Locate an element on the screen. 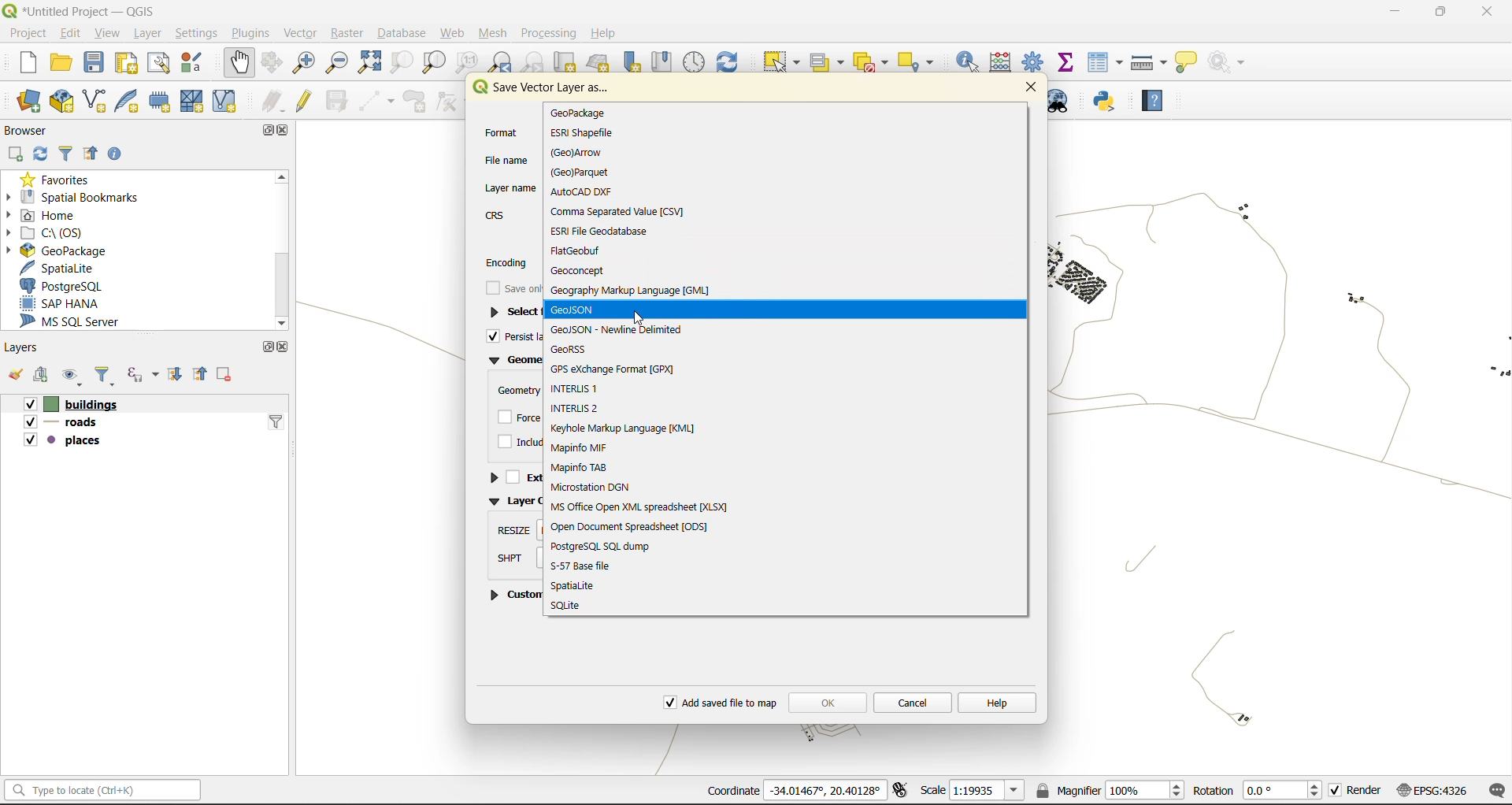  new is located at coordinates (28, 63).